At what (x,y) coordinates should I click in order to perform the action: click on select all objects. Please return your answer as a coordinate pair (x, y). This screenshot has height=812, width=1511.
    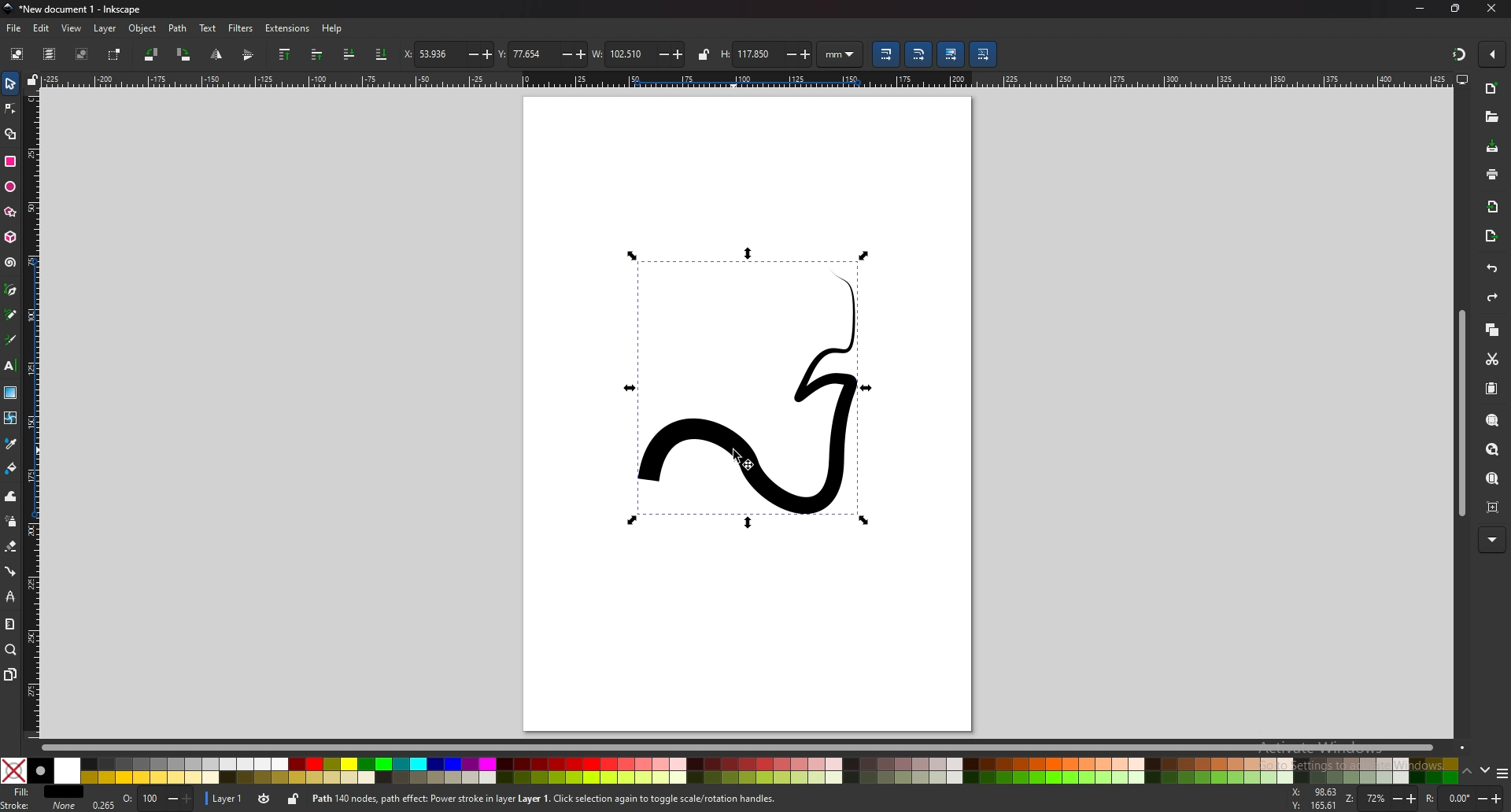
    Looking at the image, I should click on (17, 53).